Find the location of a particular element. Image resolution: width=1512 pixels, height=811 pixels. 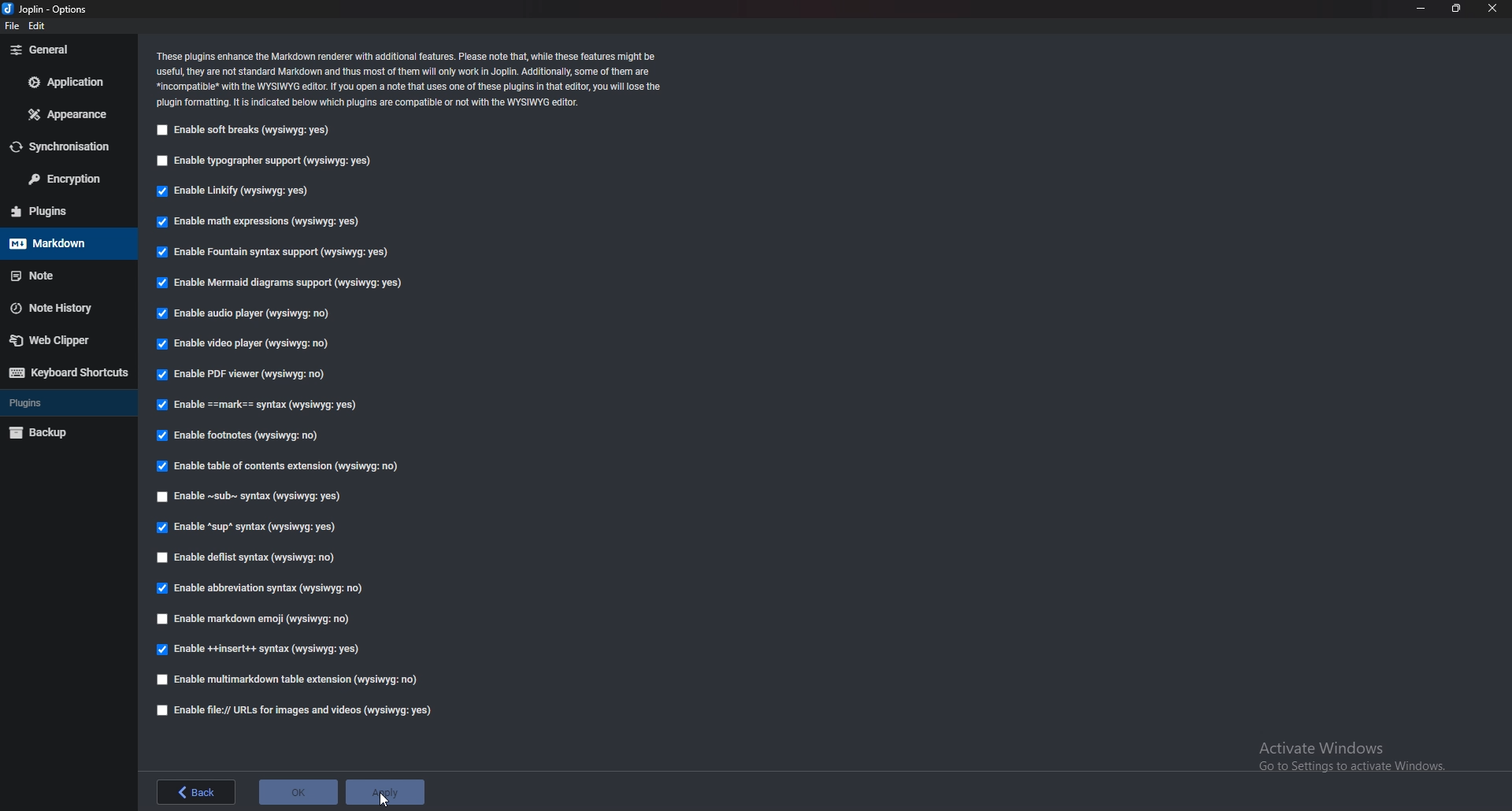

file is located at coordinates (13, 26).